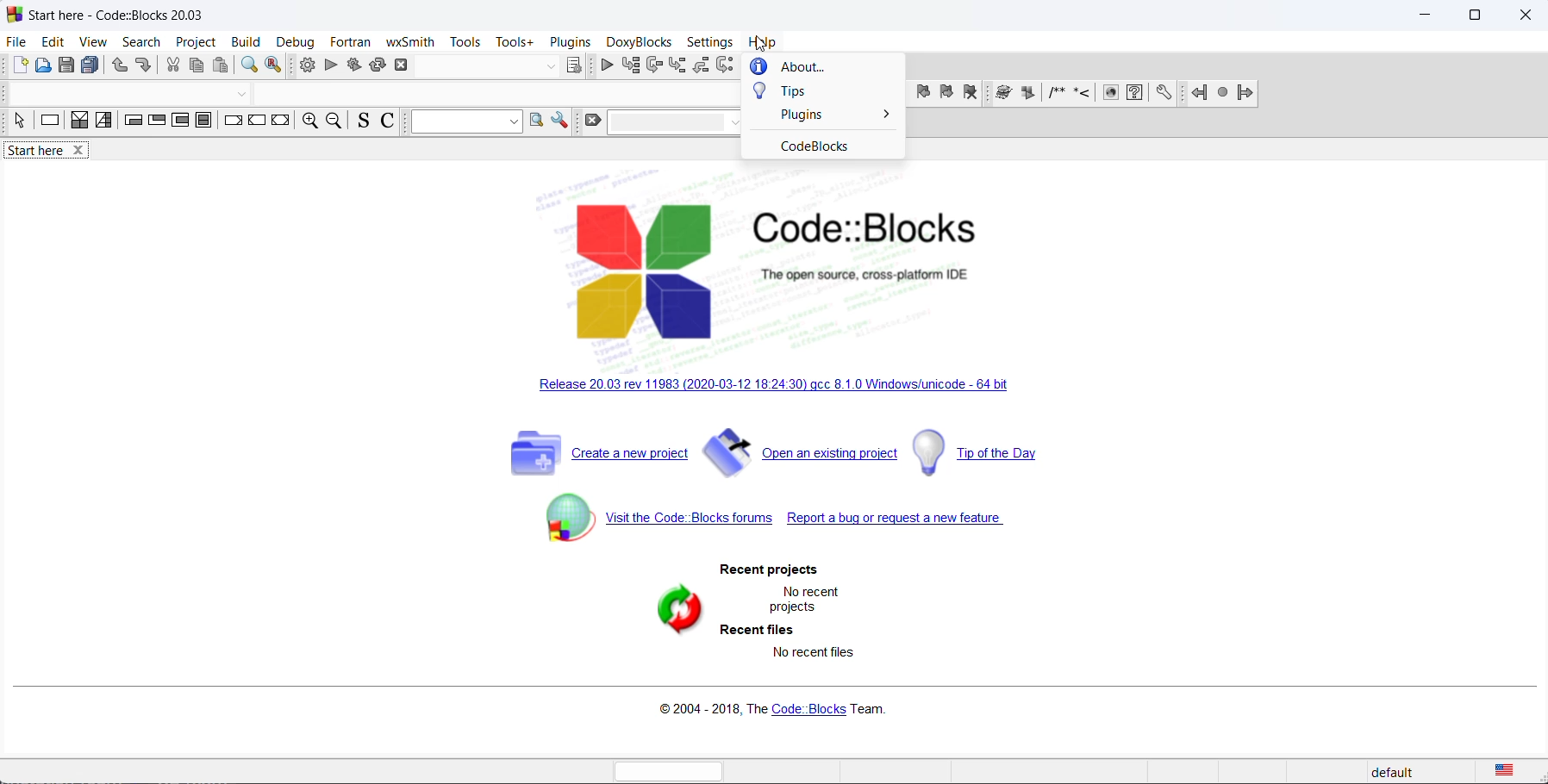 The height and width of the screenshot is (784, 1548). Describe the element at coordinates (763, 42) in the screenshot. I see `help` at that location.